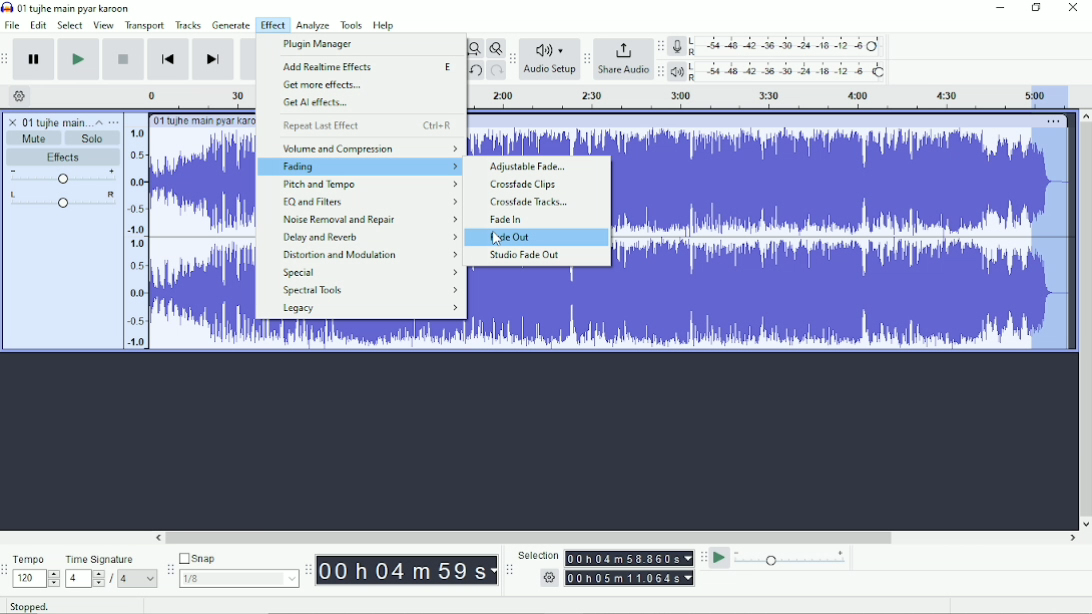 The image size is (1092, 614). Describe the element at coordinates (104, 26) in the screenshot. I see `View` at that location.